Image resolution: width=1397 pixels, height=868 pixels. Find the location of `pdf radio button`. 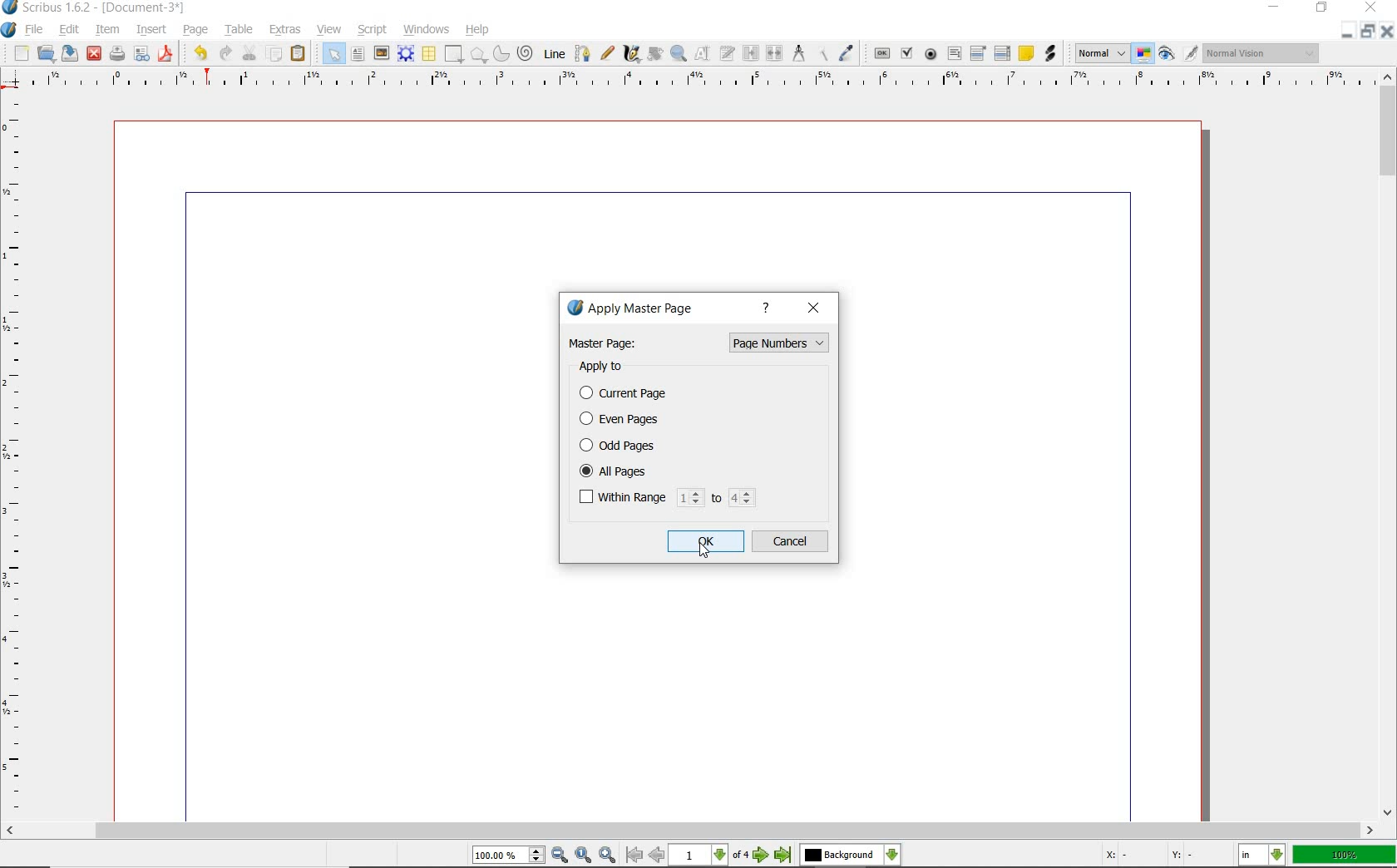

pdf radio button is located at coordinates (931, 54).